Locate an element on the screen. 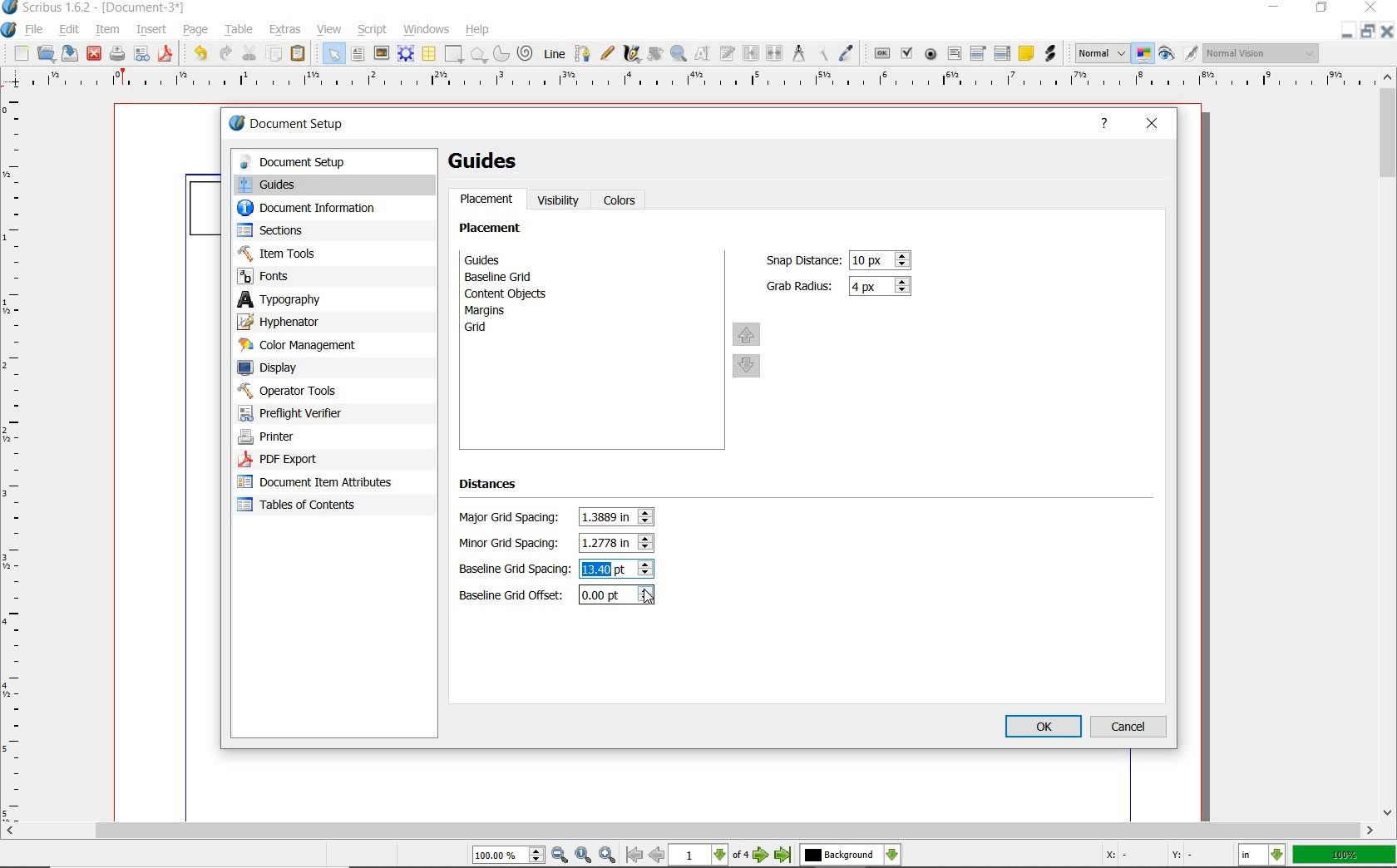  zoom out is located at coordinates (560, 856).